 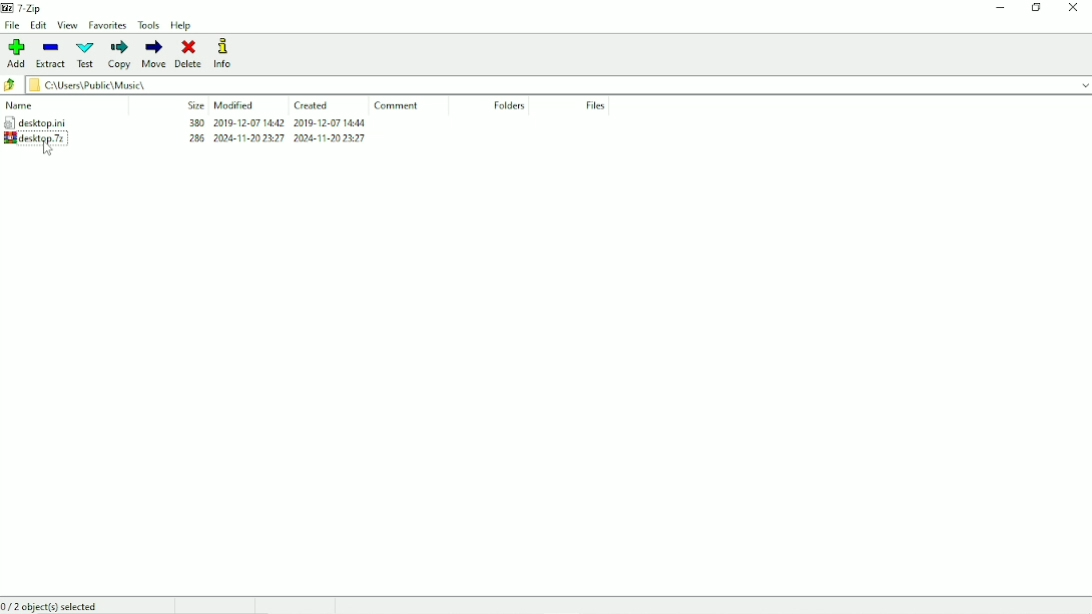 I want to click on desktop.ini, so click(x=54, y=122).